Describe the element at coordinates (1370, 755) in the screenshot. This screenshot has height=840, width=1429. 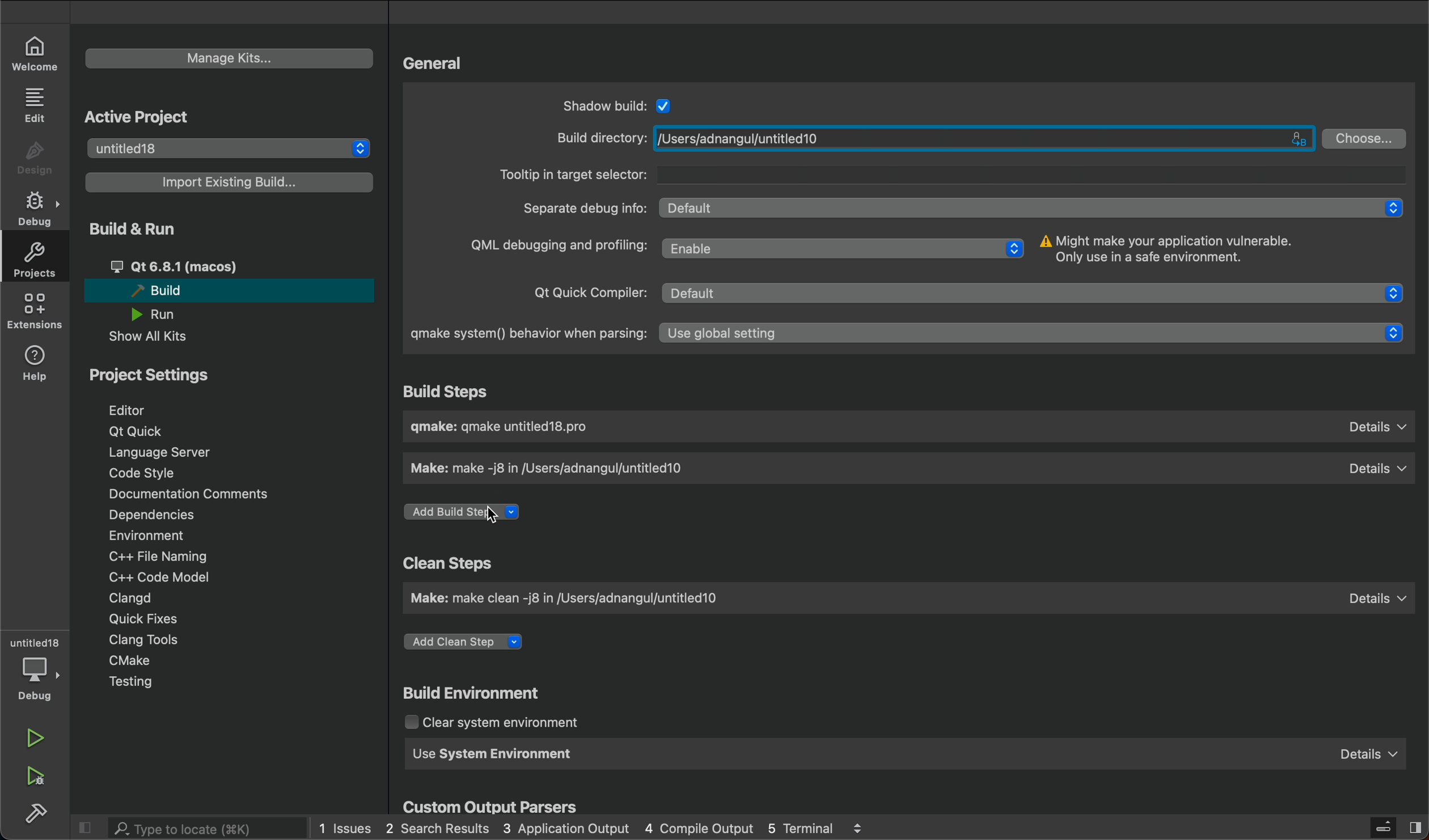
I see `Details` at that location.